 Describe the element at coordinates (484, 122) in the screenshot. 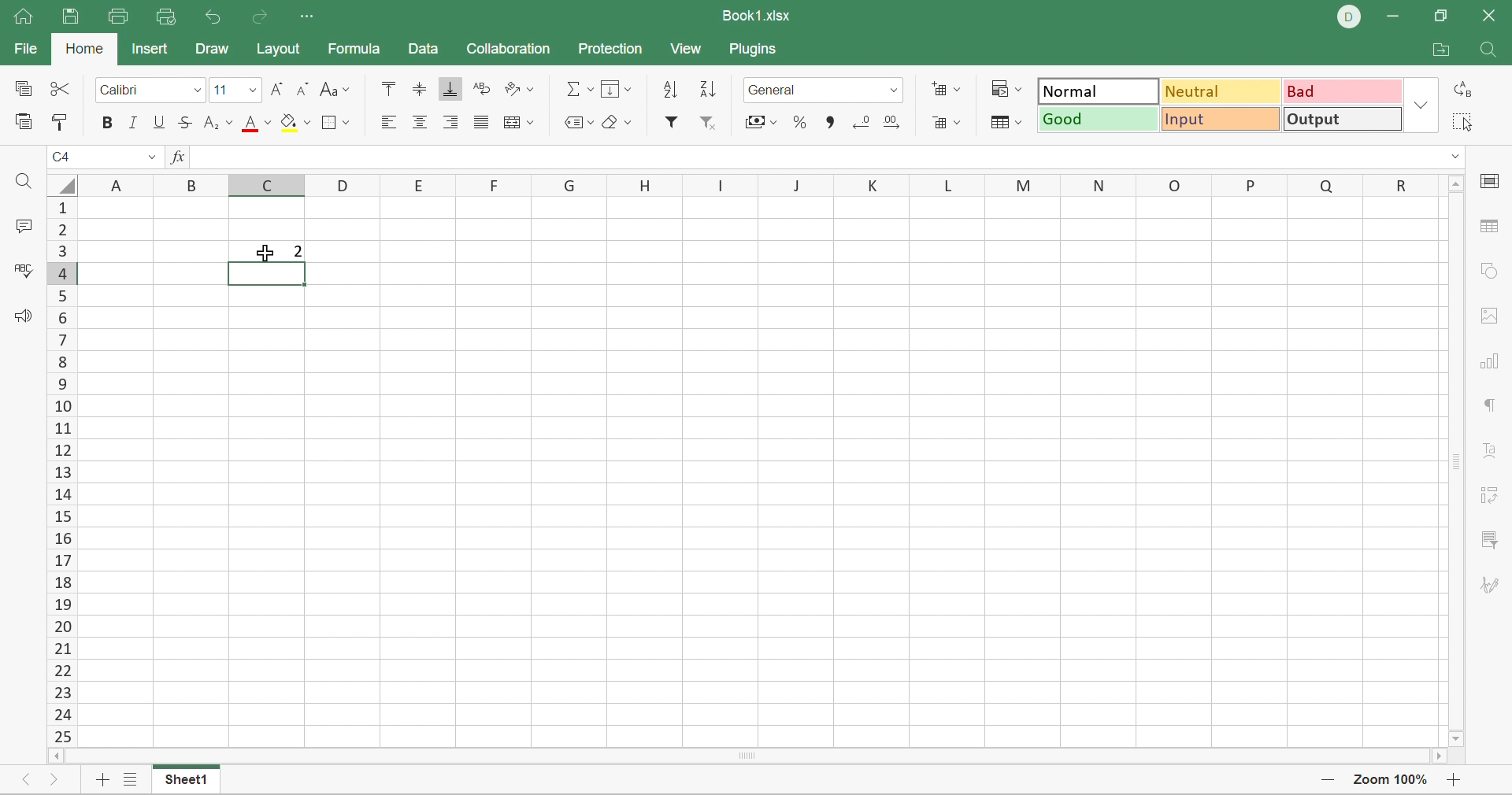

I see `Justified` at that location.